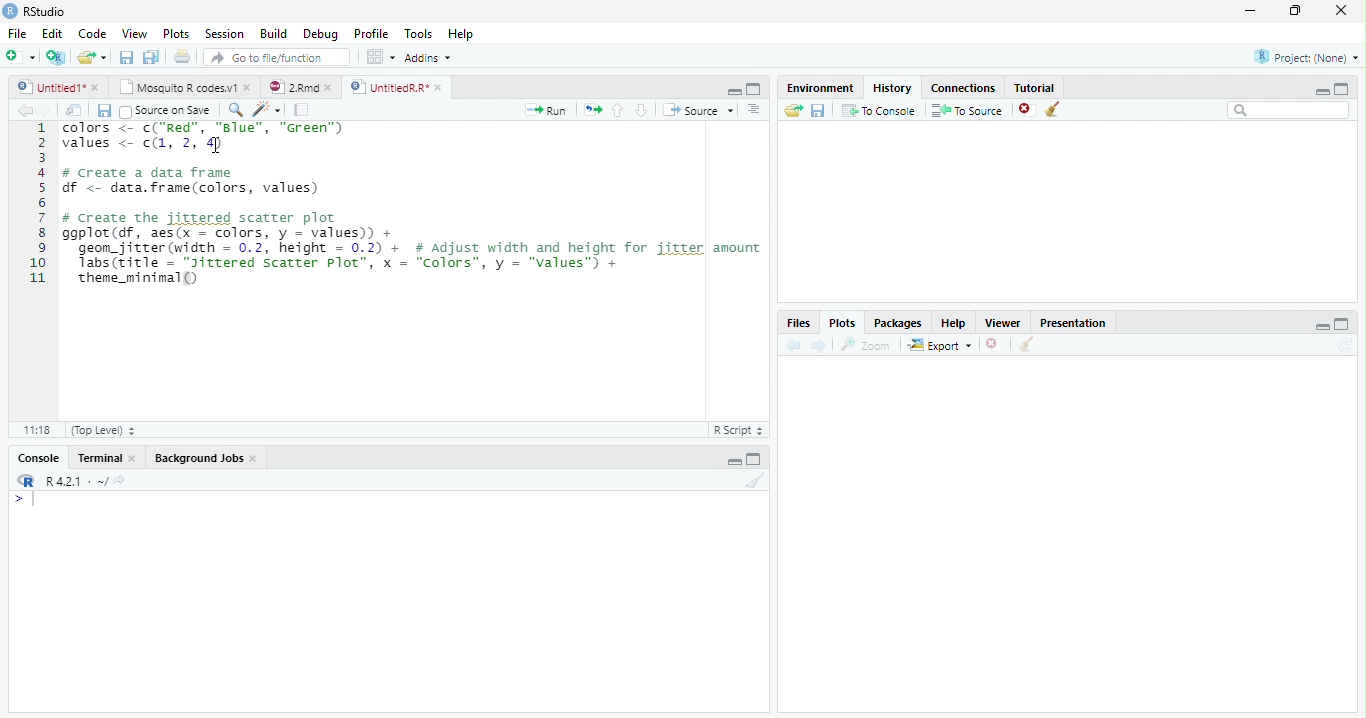  What do you see at coordinates (413, 206) in the screenshot?
I see `colars <- c( Wad’, Wiles", "Wwem’)

values < c(1, 2, 4)

# Create a data frame

df <- data. frame(colors, values)

# Create the jitrered scatter plot

ggplot(df, aes(x = colors, y = values) +
geom_jitter (width = 0.2, height = 0.2) + # Adjust width and height for jitter amount
Tabs(ritle = "Jittered scatter plot”, x = “colors”, y = values") +
theme_minimal()` at bounding box center [413, 206].